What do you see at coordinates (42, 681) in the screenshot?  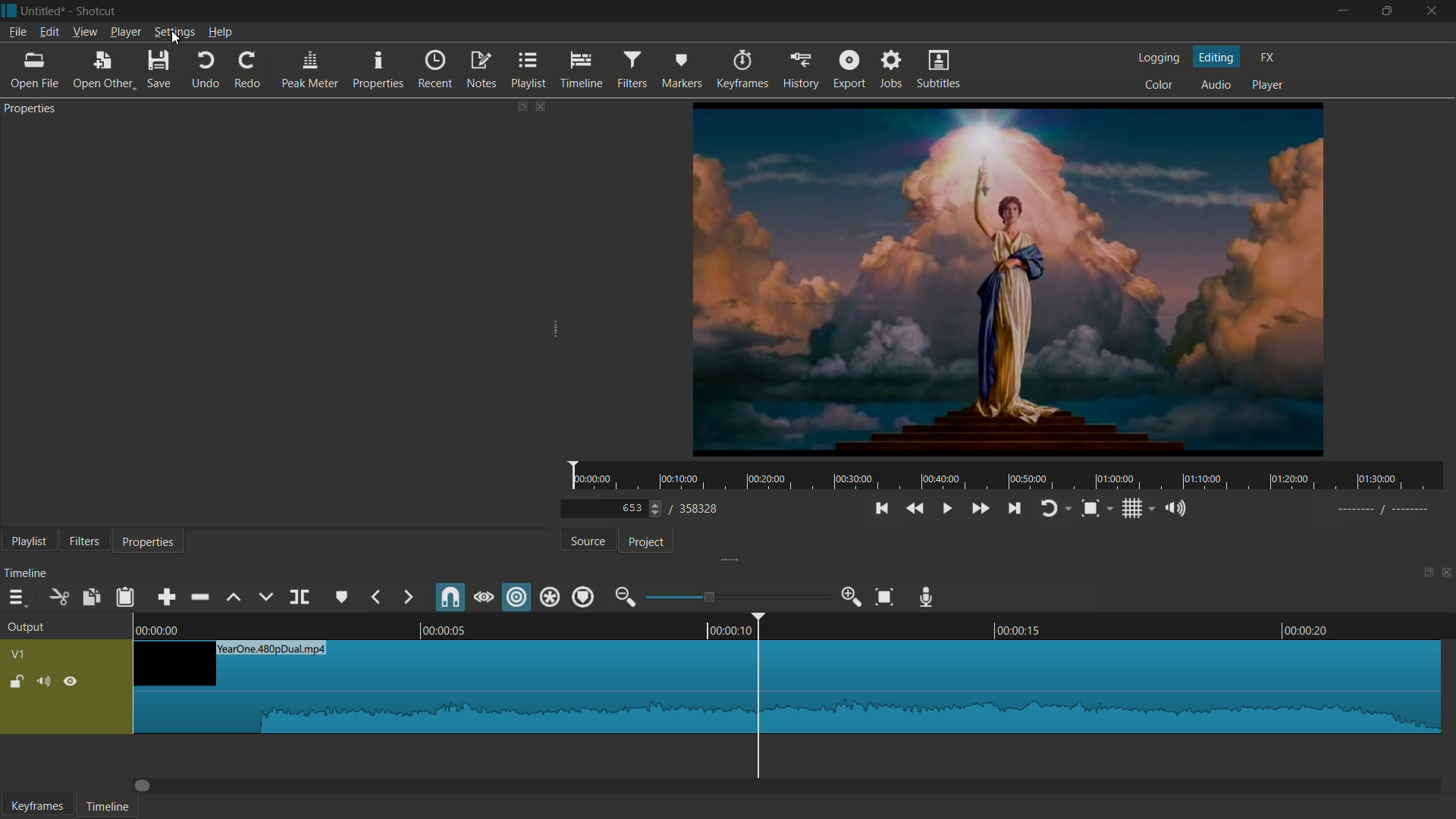 I see `mute` at bounding box center [42, 681].